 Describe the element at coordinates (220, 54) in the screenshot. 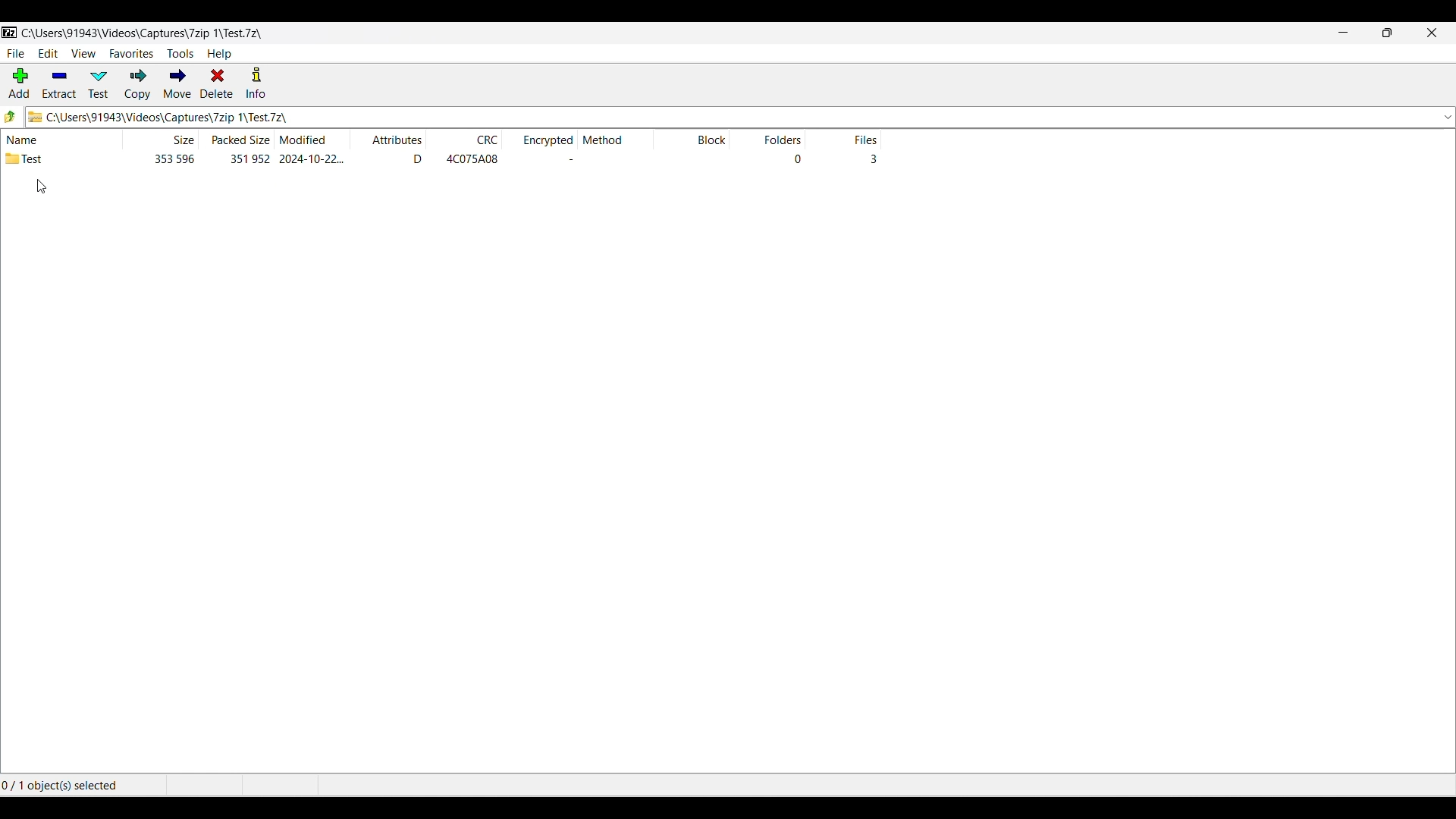

I see `Help` at that location.